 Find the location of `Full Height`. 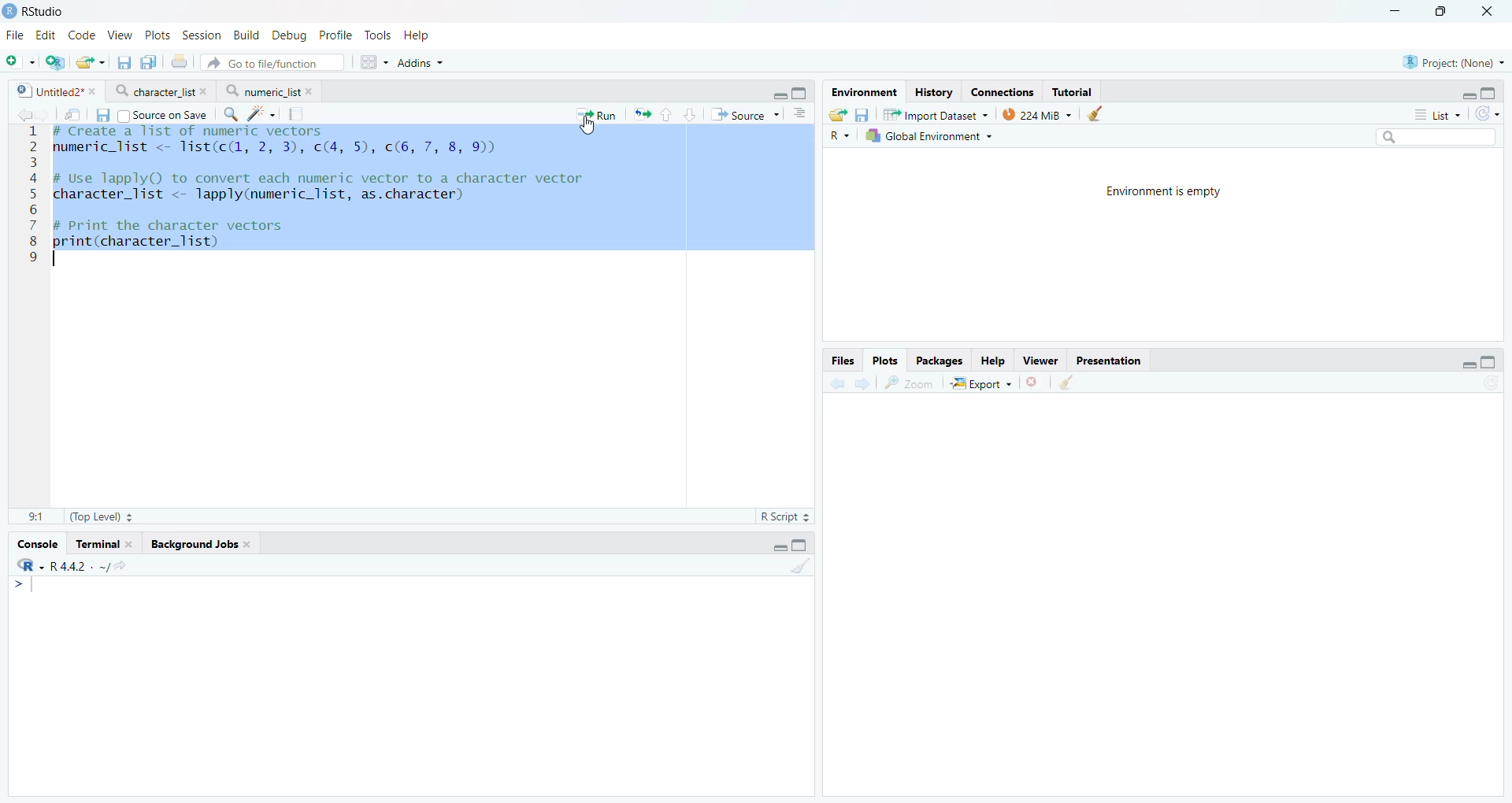

Full Height is located at coordinates (802, 545).